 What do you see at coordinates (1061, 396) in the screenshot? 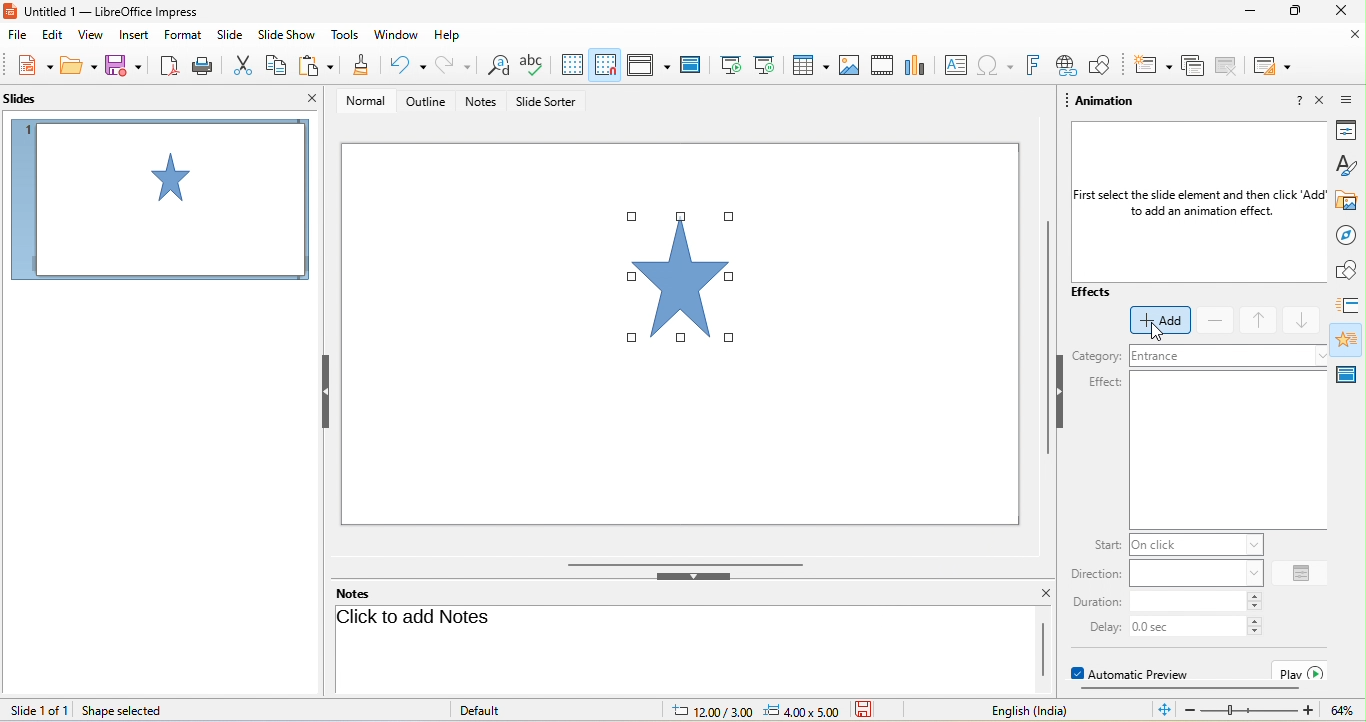
I see `hide` at bounding box center [1061, 396].